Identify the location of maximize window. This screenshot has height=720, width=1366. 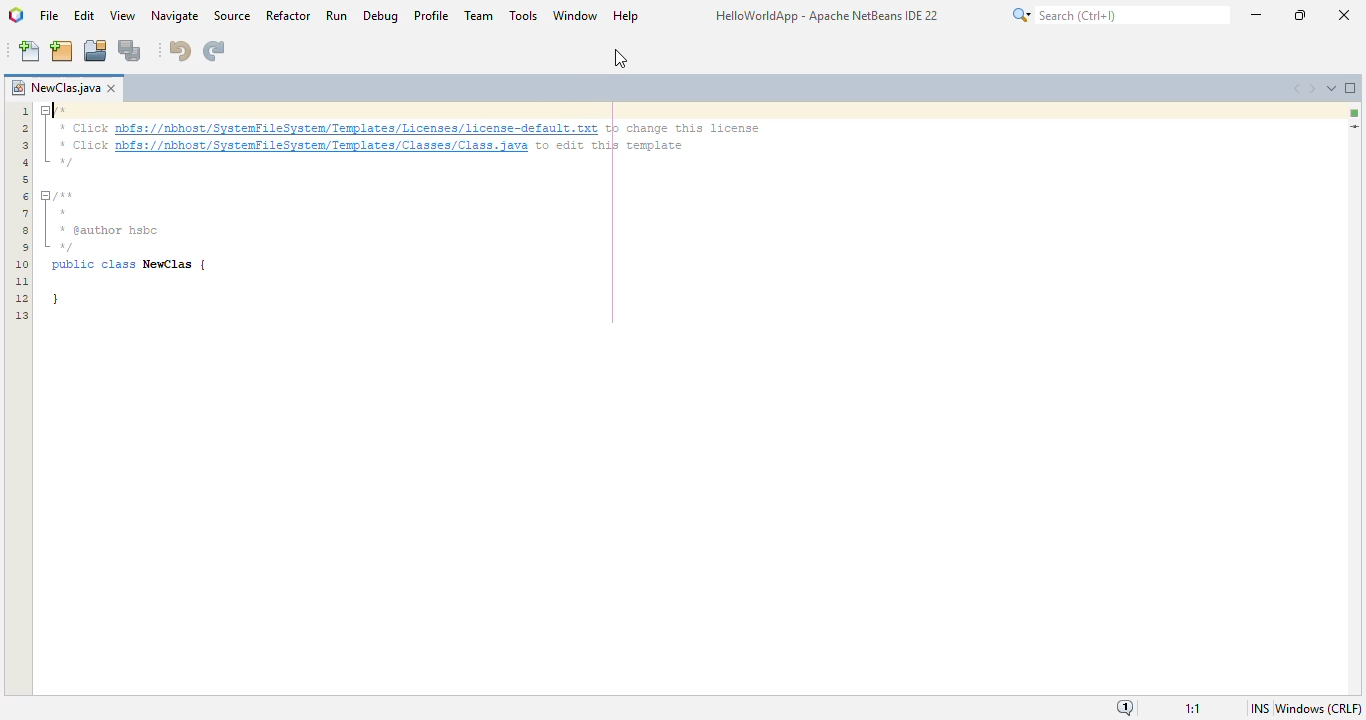
(1351, 88).